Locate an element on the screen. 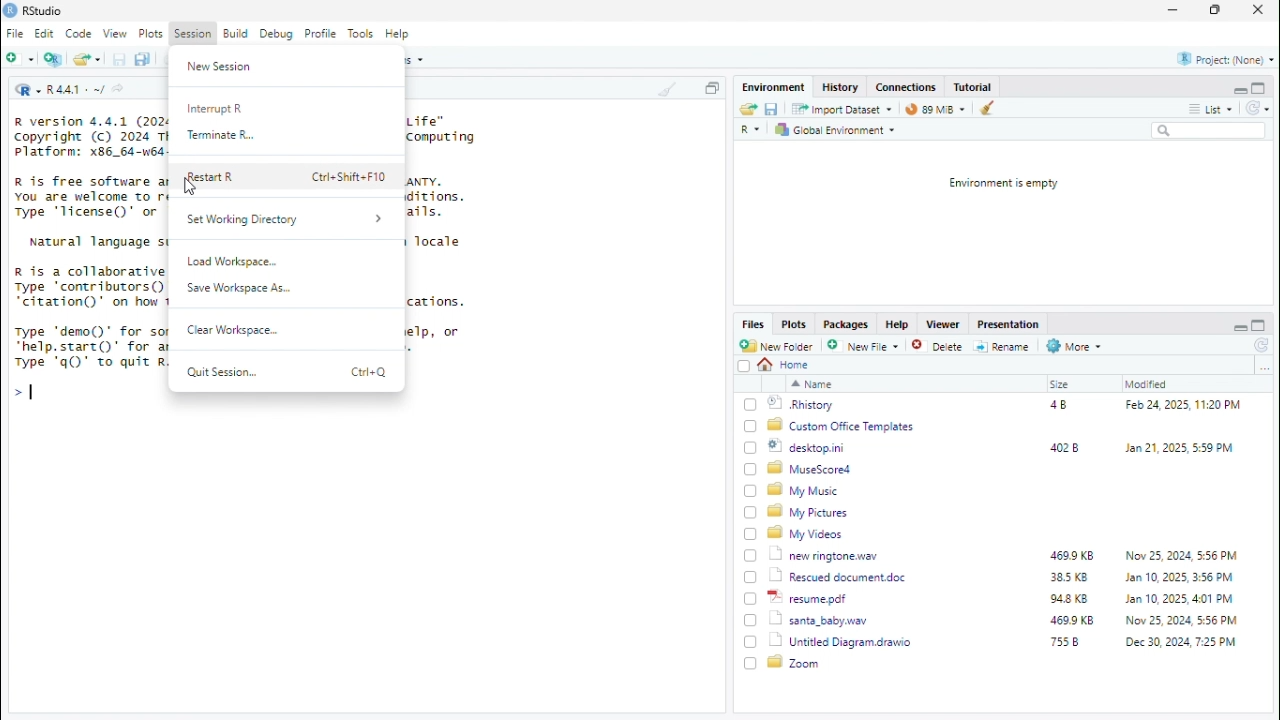 The height and width of the screenshot is (720, 1280). reload is located at coordinates (1263, 346).